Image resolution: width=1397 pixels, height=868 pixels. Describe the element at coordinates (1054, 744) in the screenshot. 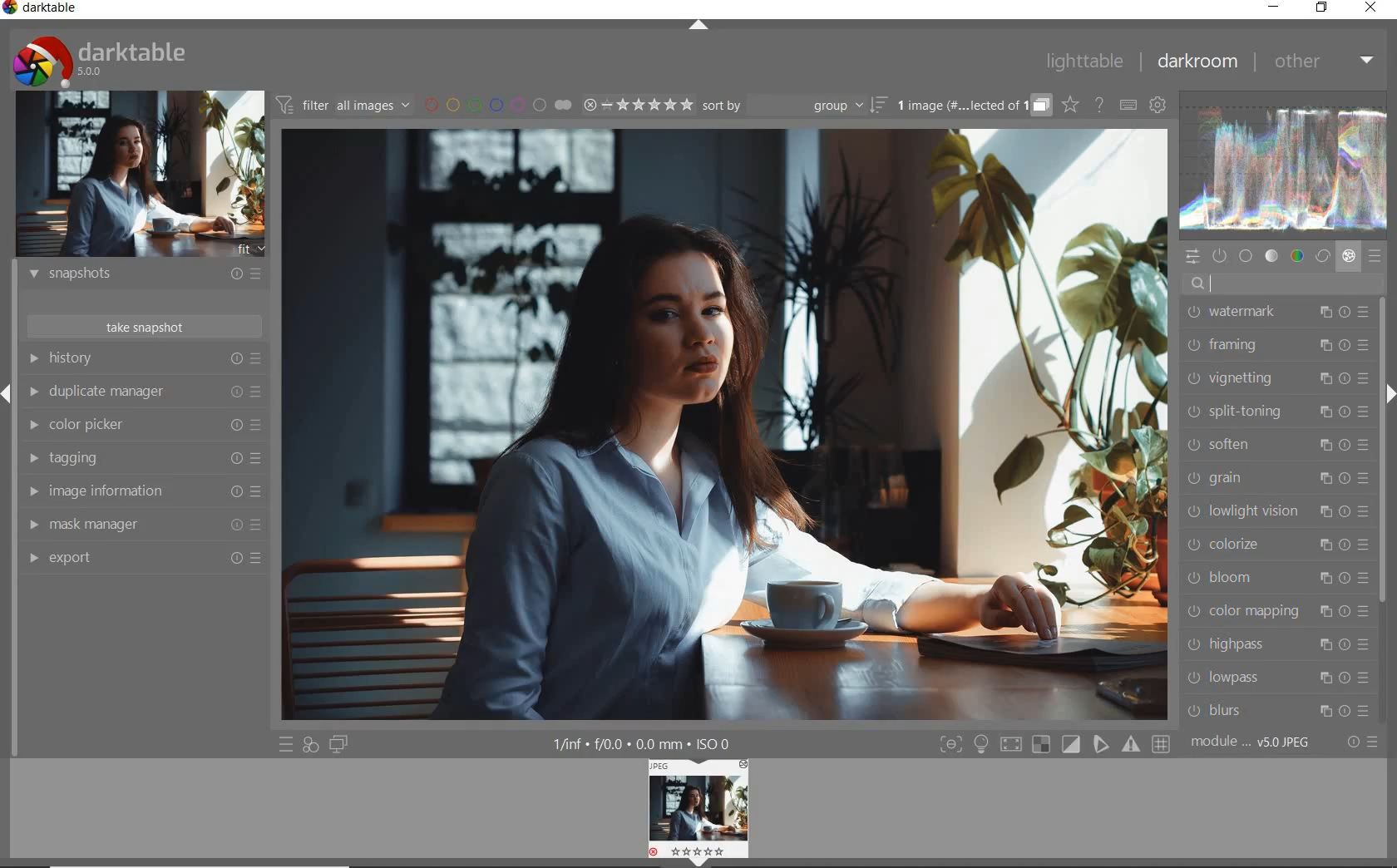

I see `Toggle modes` at that location.